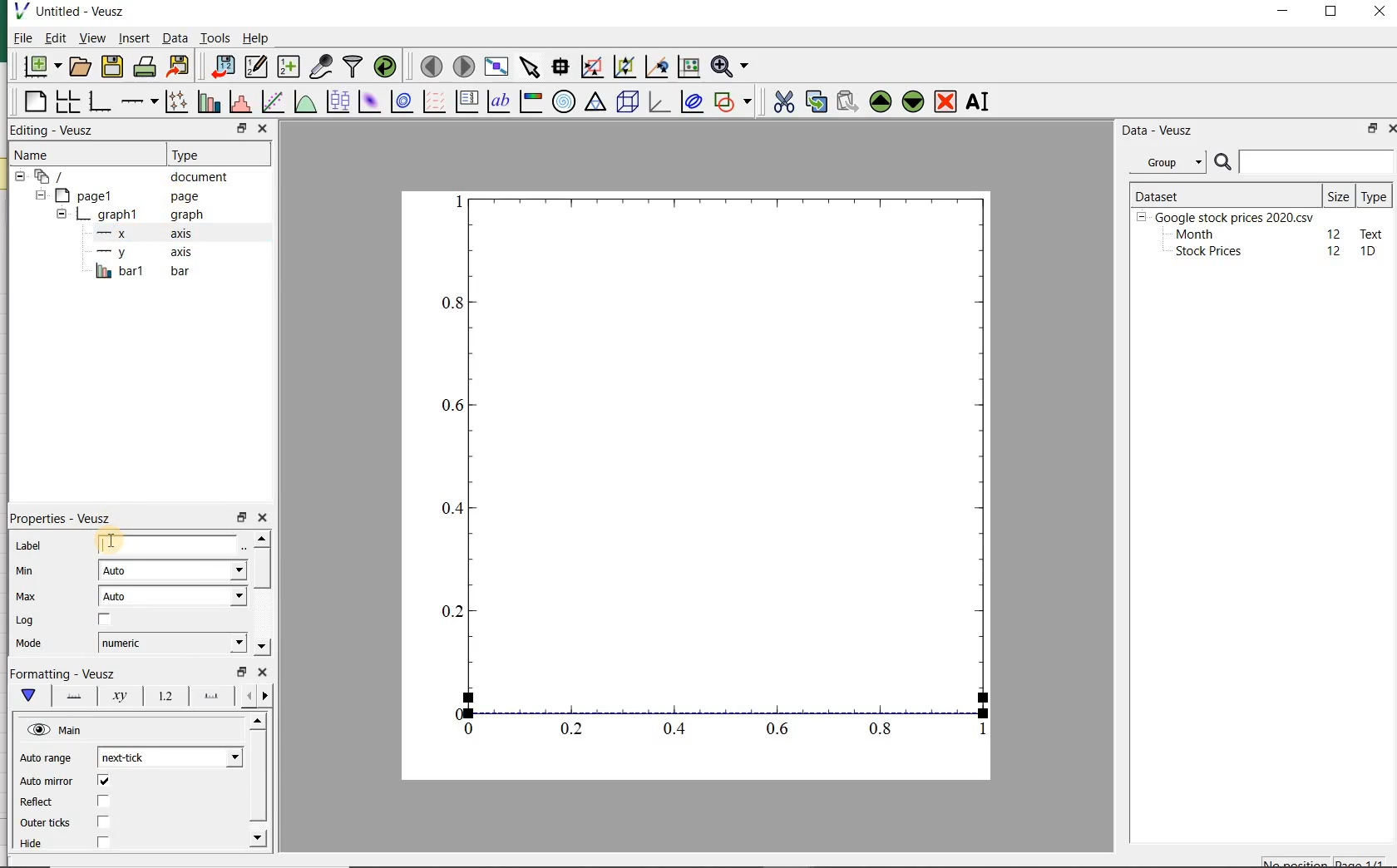 Image resolution: width=1397 pixels, height=868 pixels. Describe the element at coordinates (1369, 233) in the screenshot. I see `text` at that location.